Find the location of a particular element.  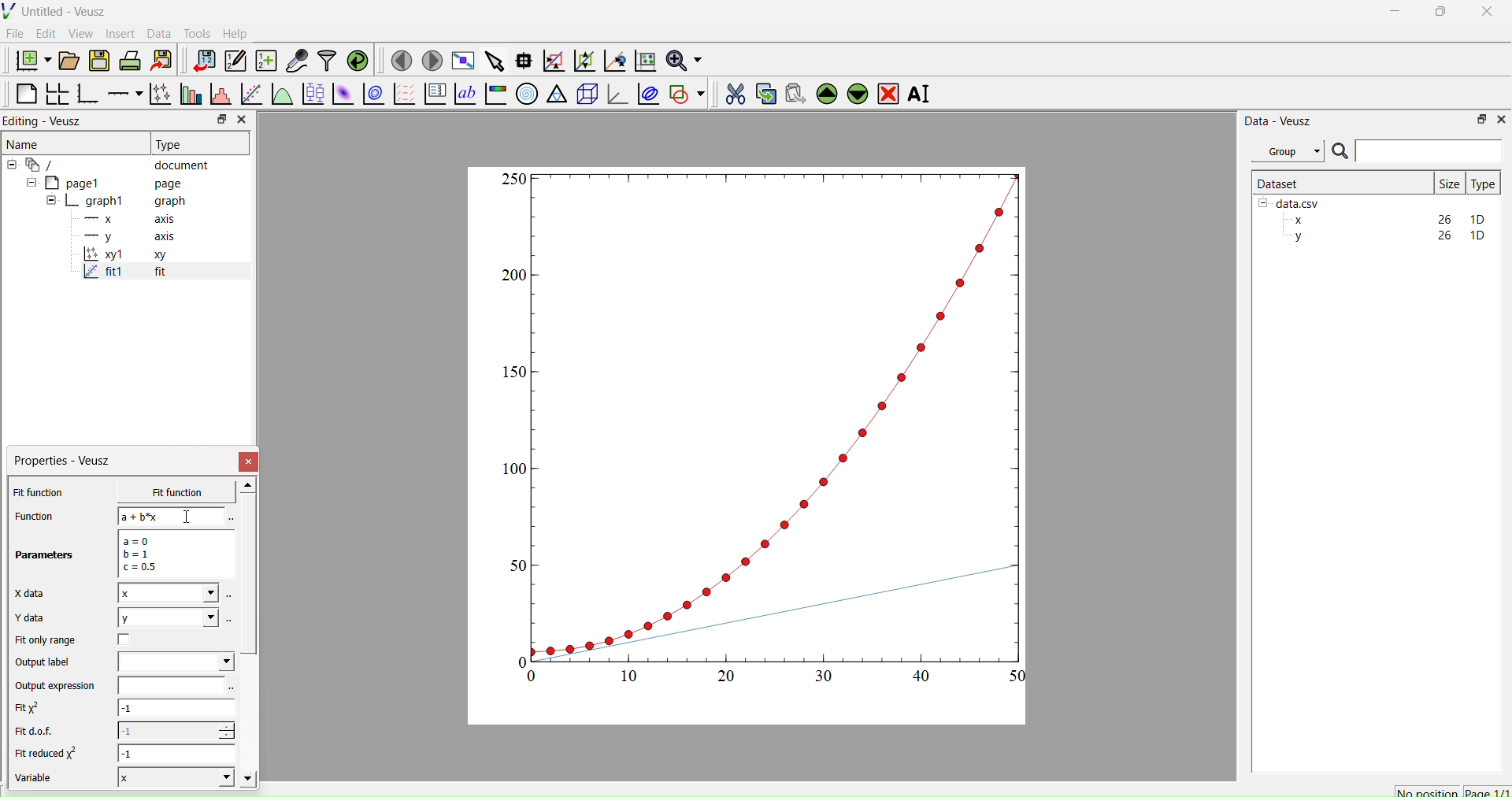

Dropdown is located at coordinates (176, 662).